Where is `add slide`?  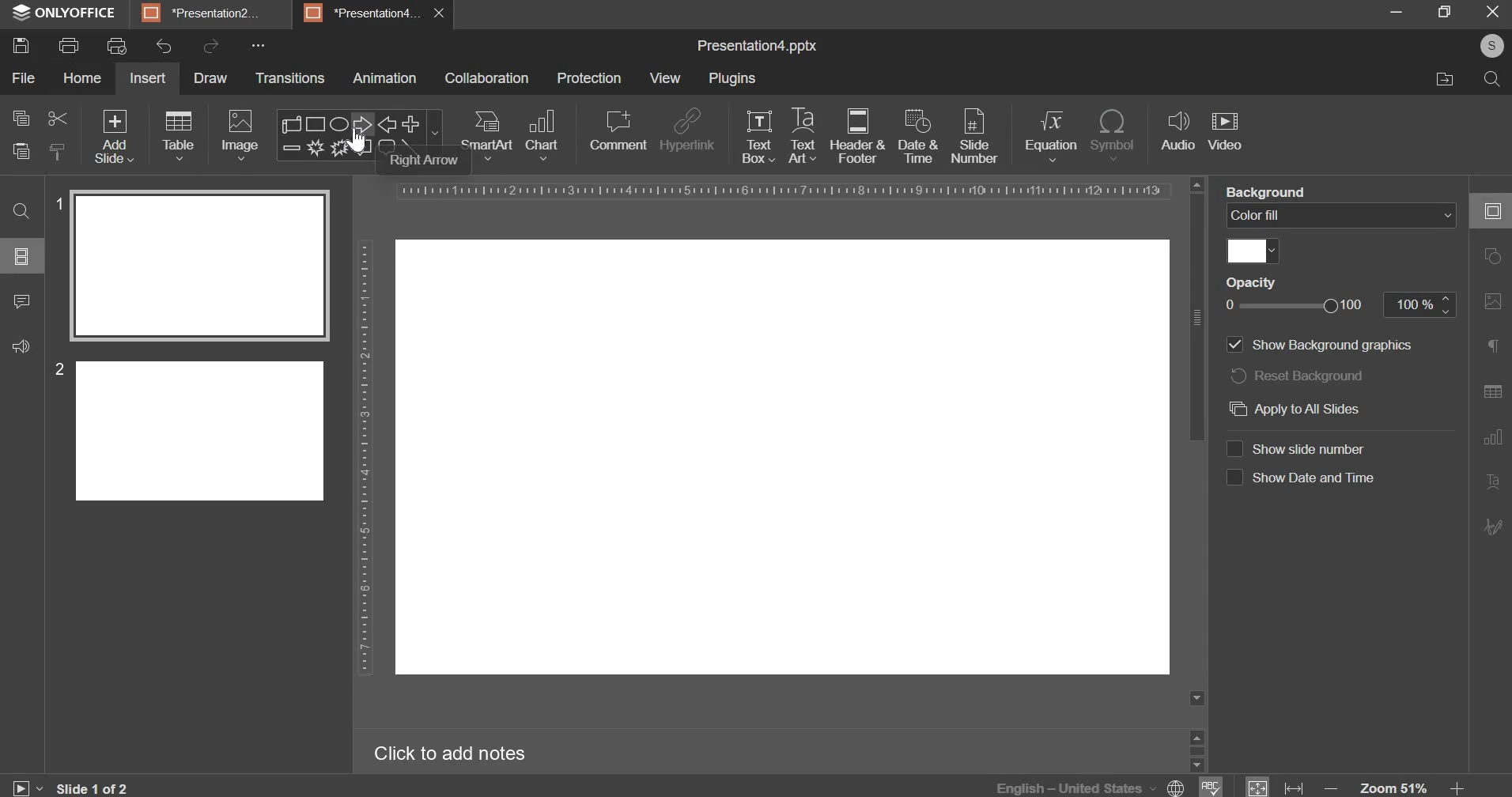 add slide is located at coordinates (115, 136).